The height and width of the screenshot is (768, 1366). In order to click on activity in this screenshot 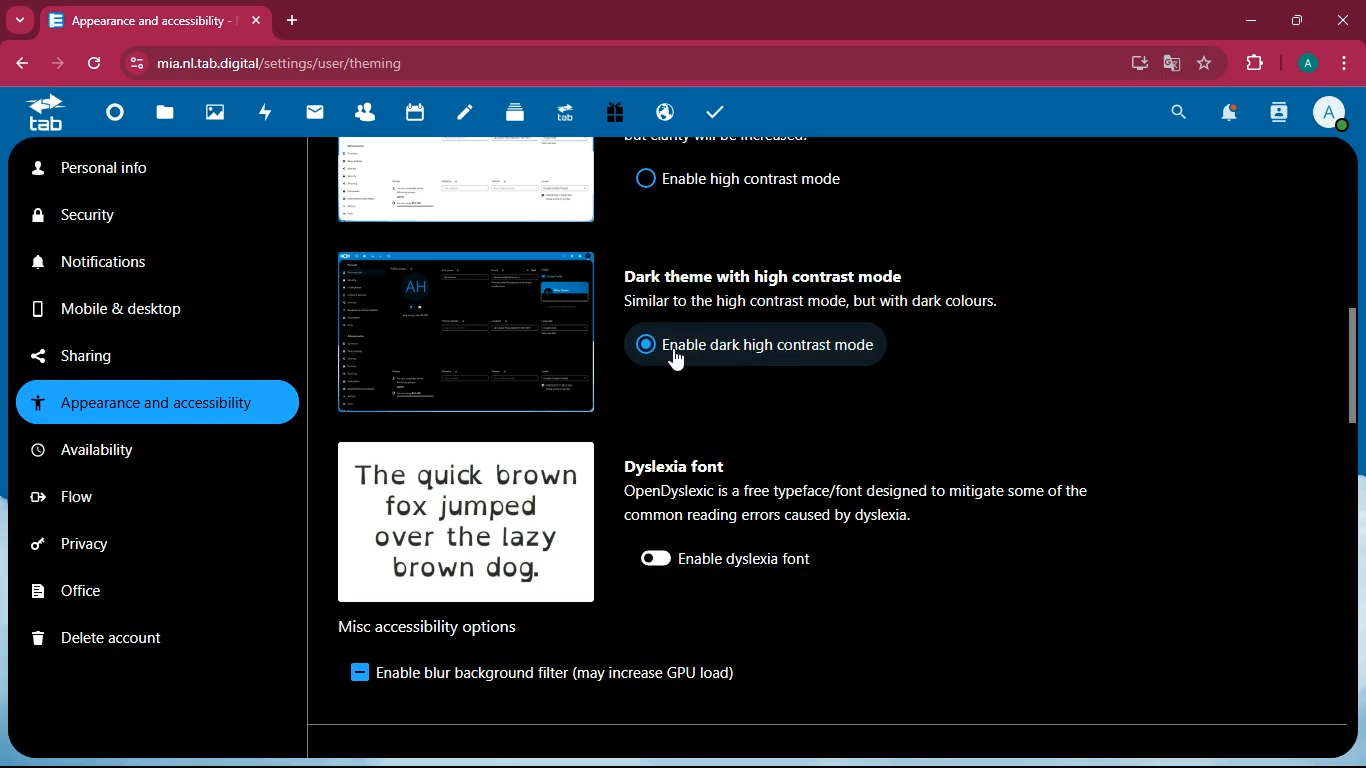, I will do `click(270, 114)`.